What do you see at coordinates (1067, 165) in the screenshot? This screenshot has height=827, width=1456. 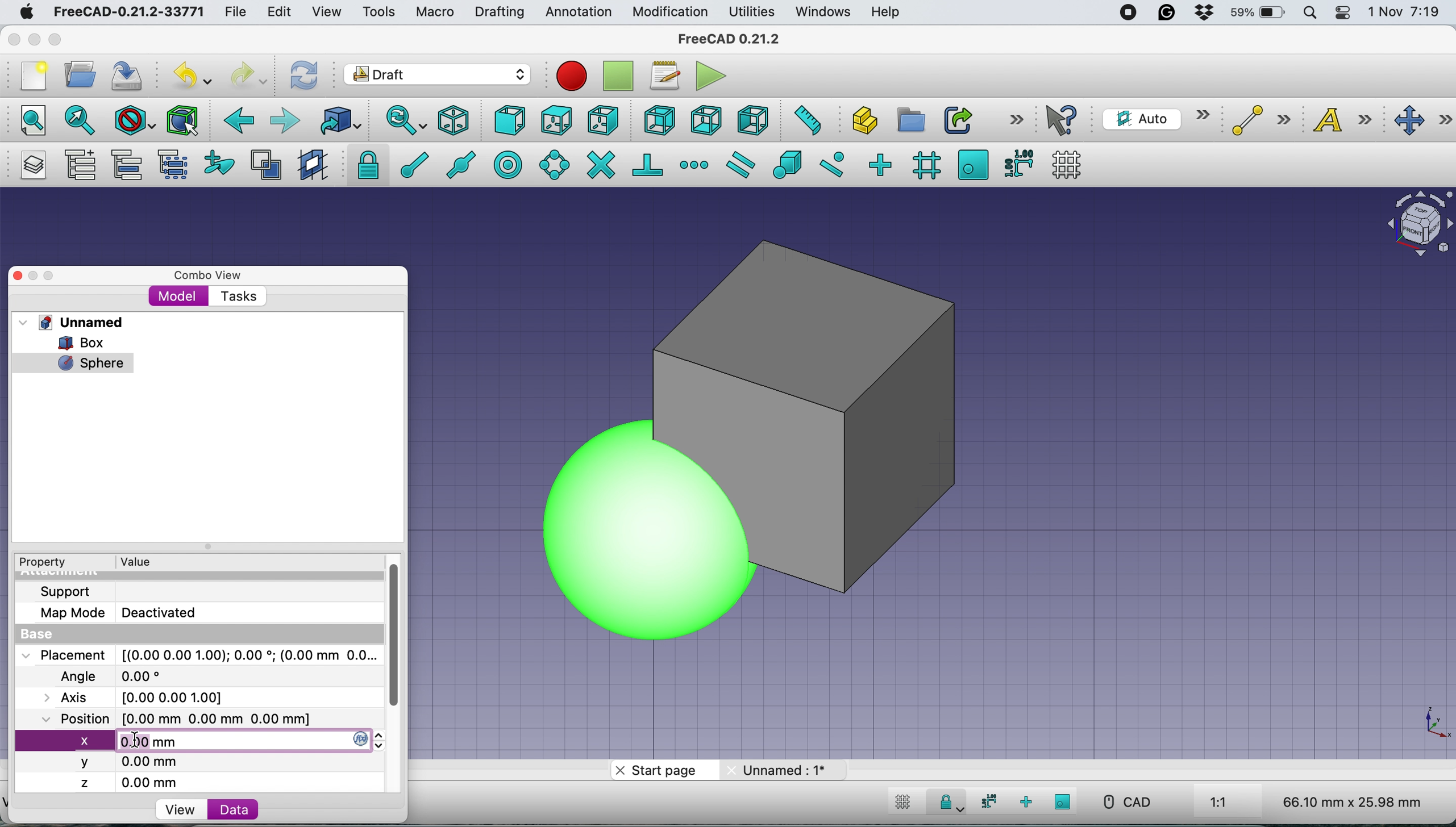 I see `toggle grid` at bounding box center [1067, 165].